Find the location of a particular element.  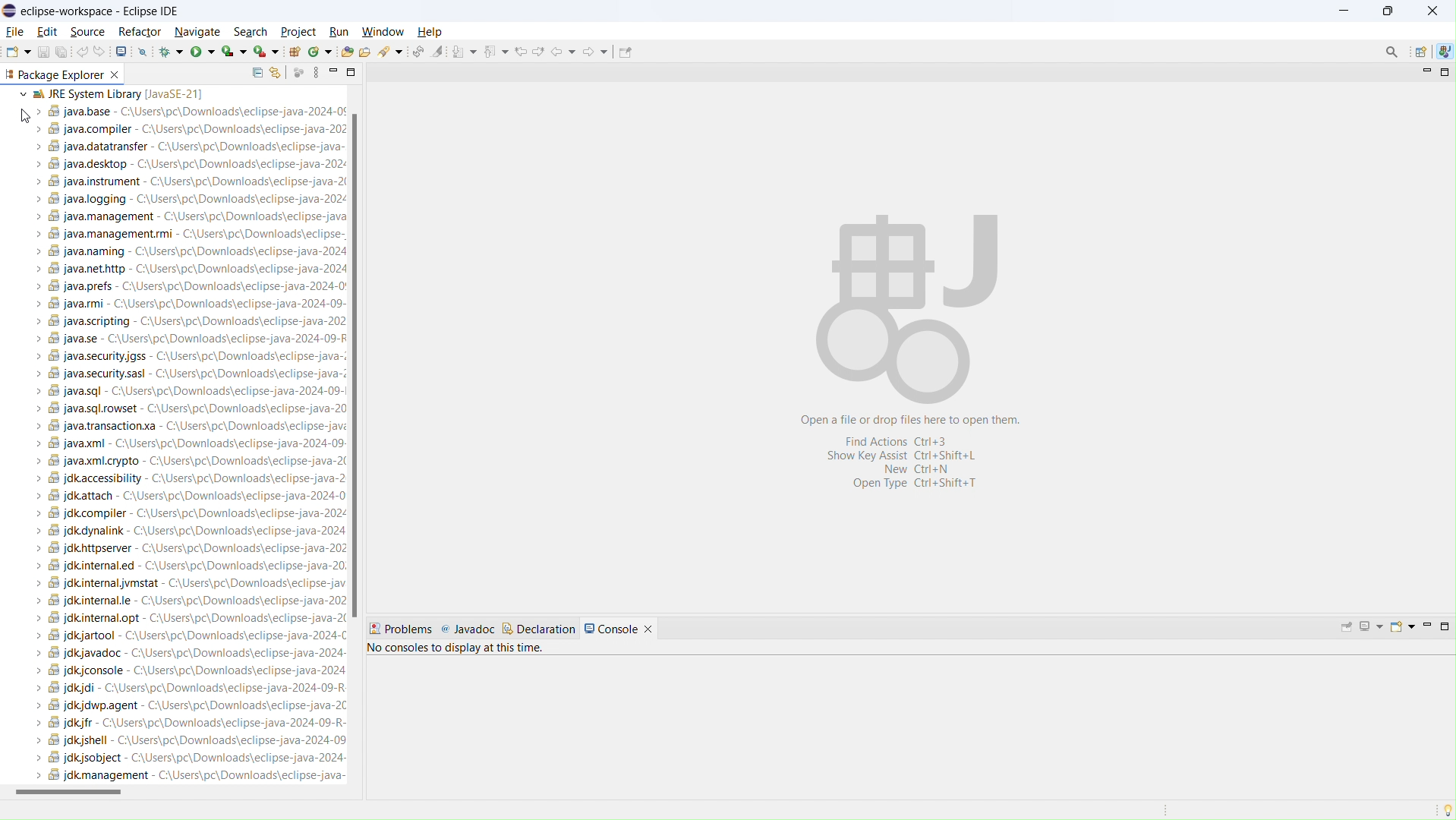

undo is located at coordinates (82, 54).